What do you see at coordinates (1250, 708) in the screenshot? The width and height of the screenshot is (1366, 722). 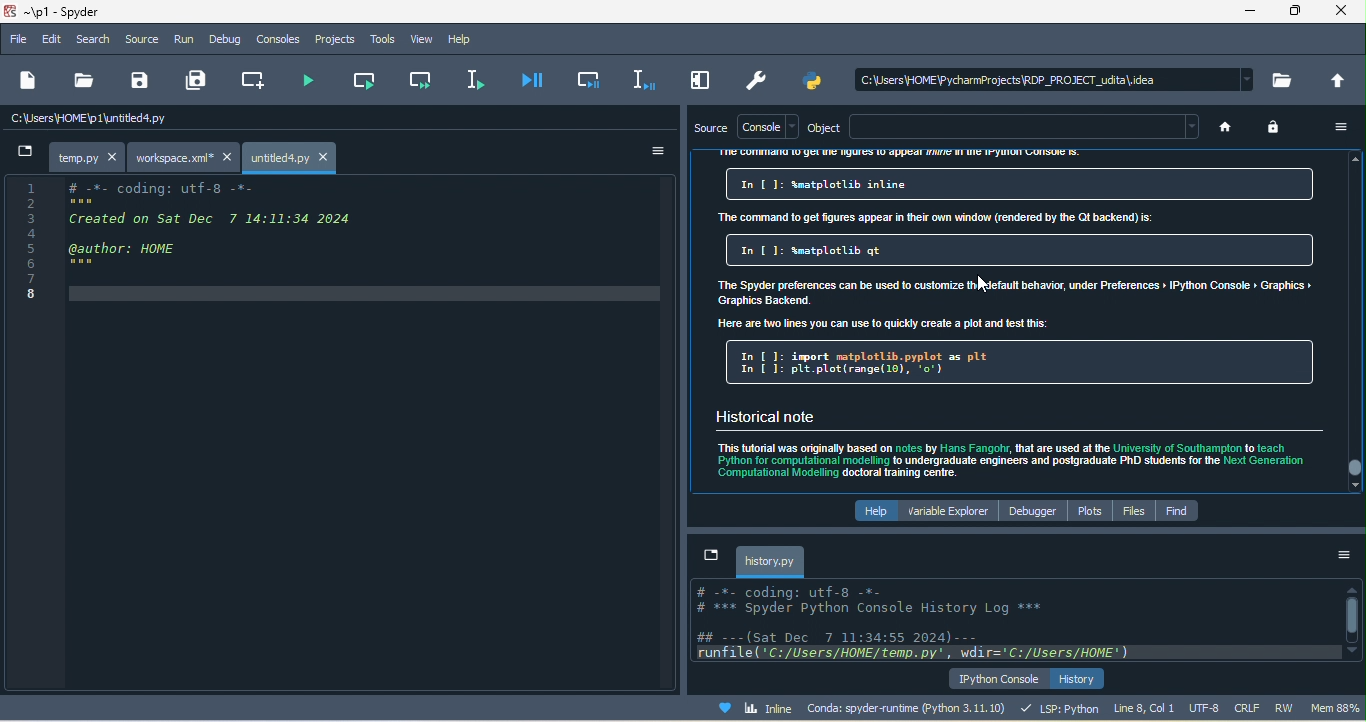 I see `crlf` at bounding box center [1250, 708].